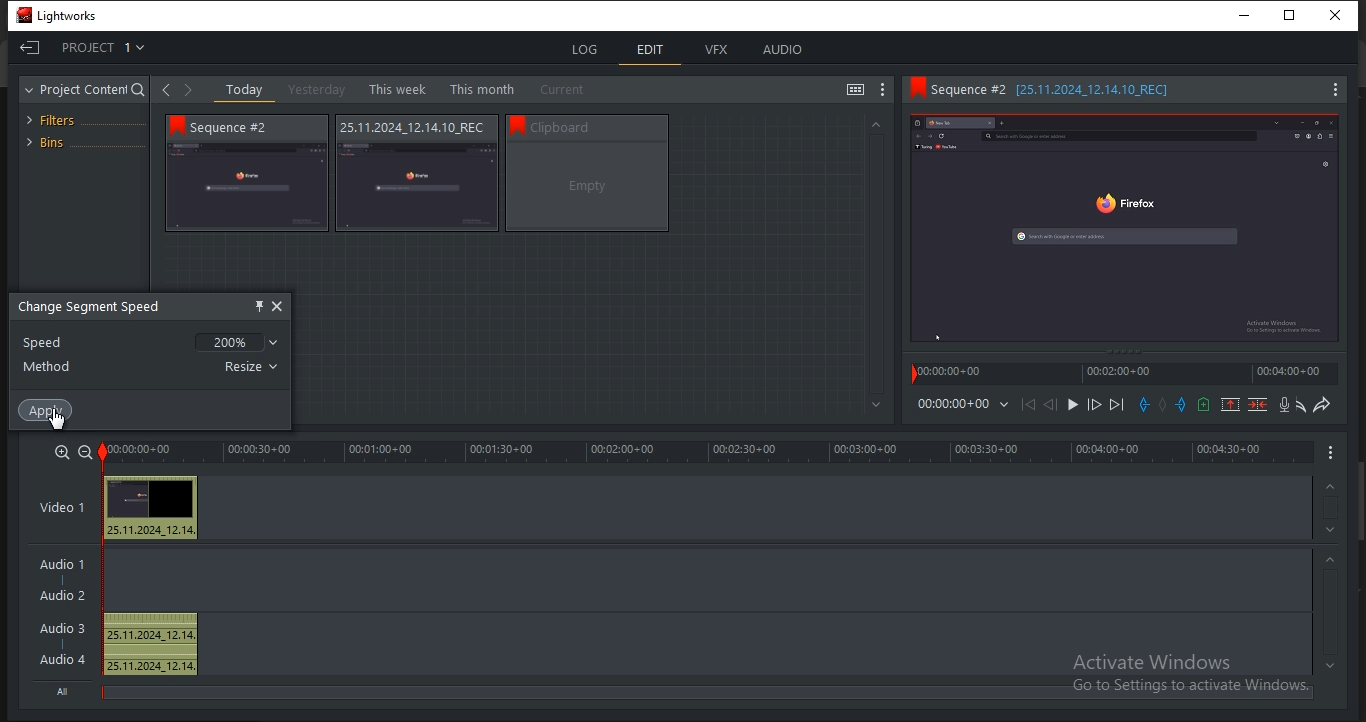 This screenshot has width=1366, height=722. I want to click on video thumbnail, so click(587, 186).